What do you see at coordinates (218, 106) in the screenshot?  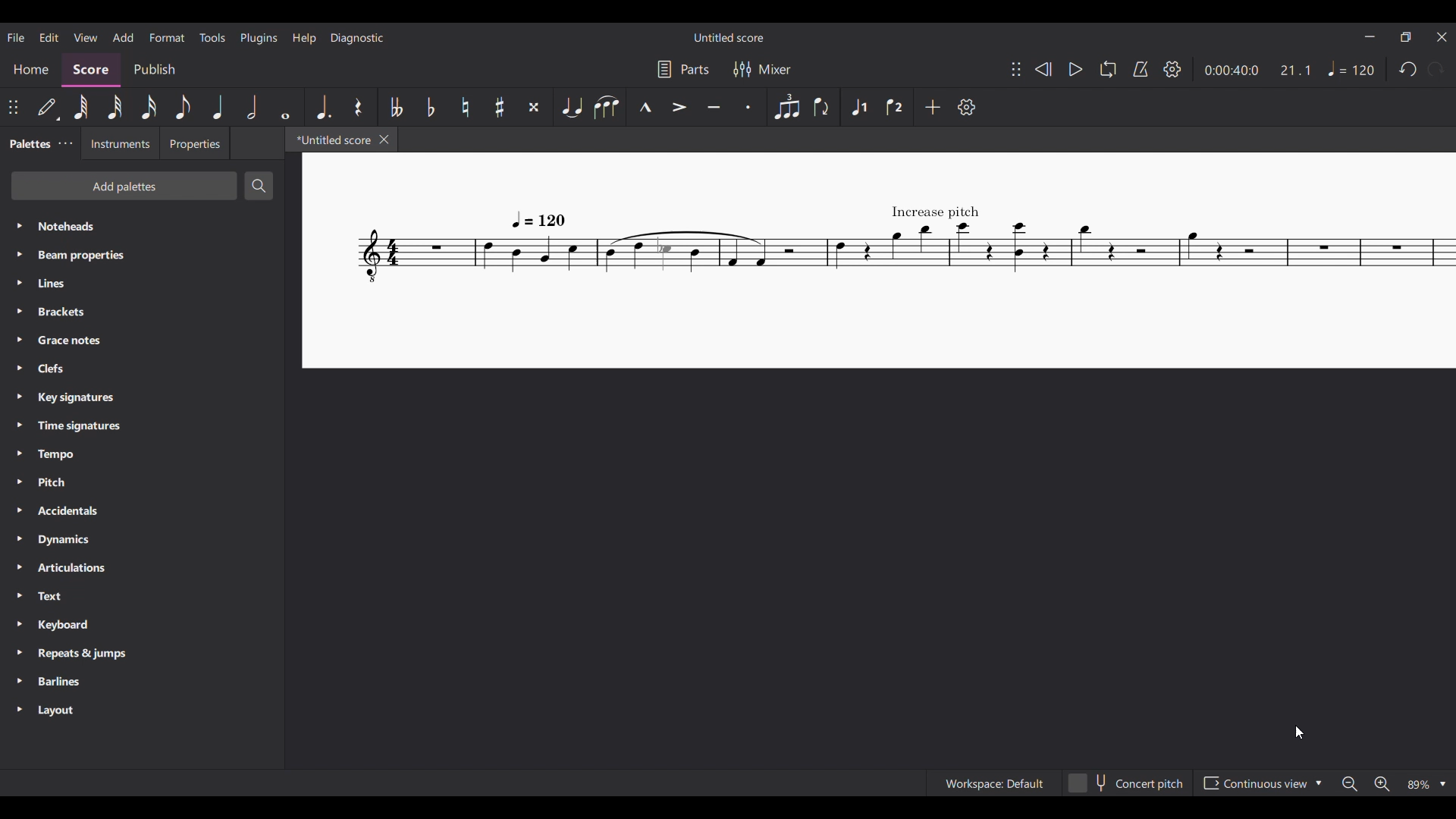 I see `Quarter note` at bounding box center [218, 106].